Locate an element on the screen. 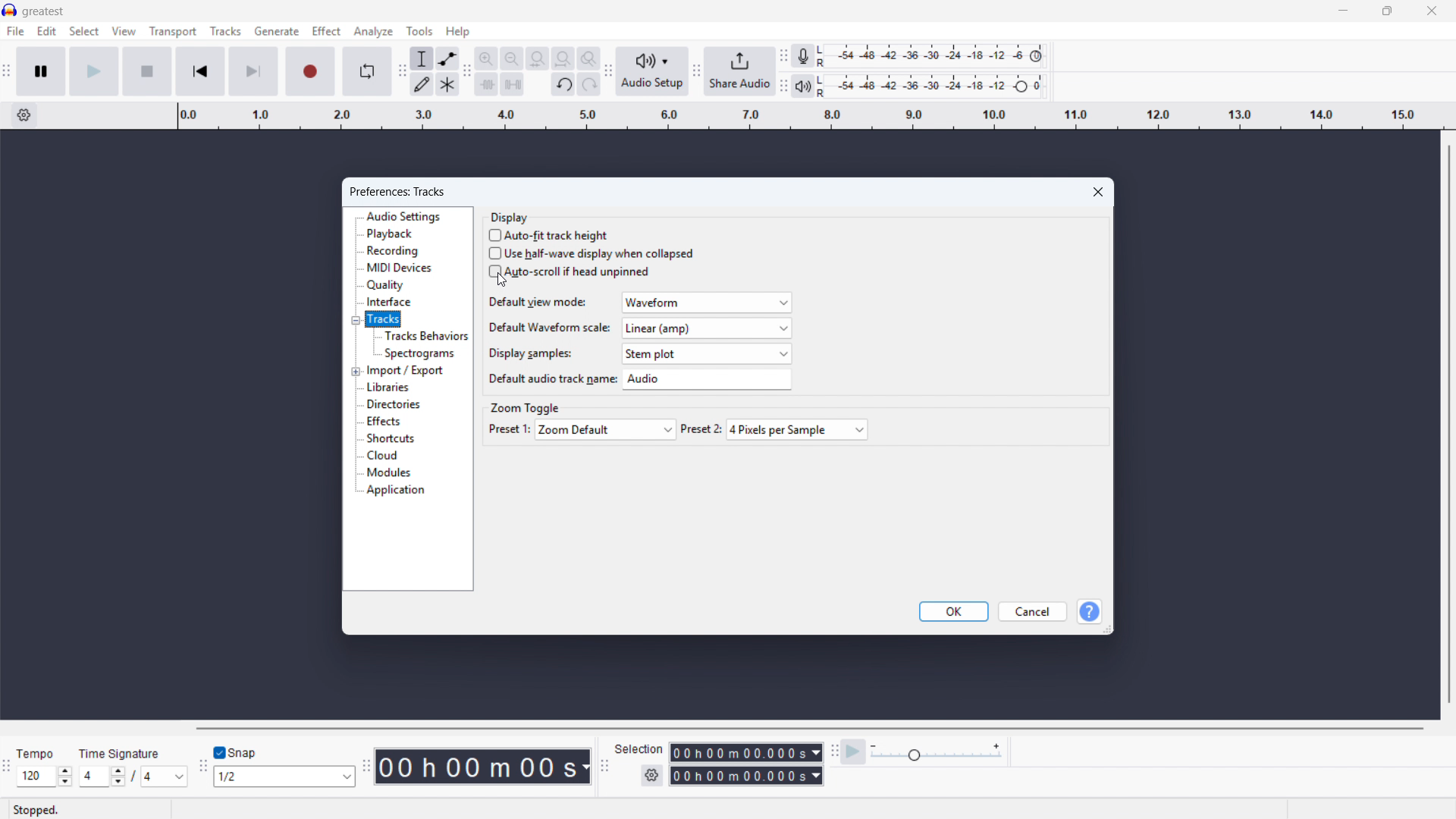 The width and height of the screenshot is (1456, 819). Display  is located at coordinates (510, 217).